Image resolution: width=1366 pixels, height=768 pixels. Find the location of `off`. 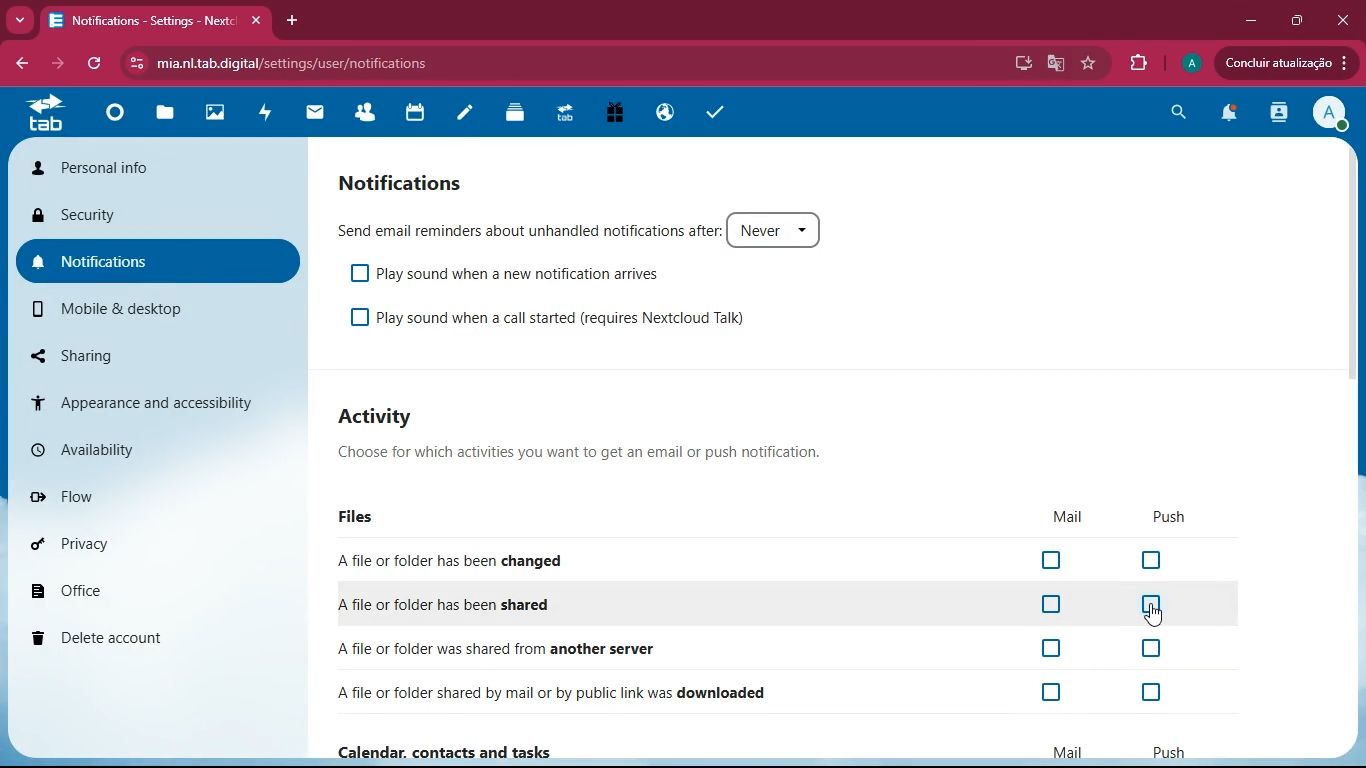

off is located at coordinates (1154, 651).